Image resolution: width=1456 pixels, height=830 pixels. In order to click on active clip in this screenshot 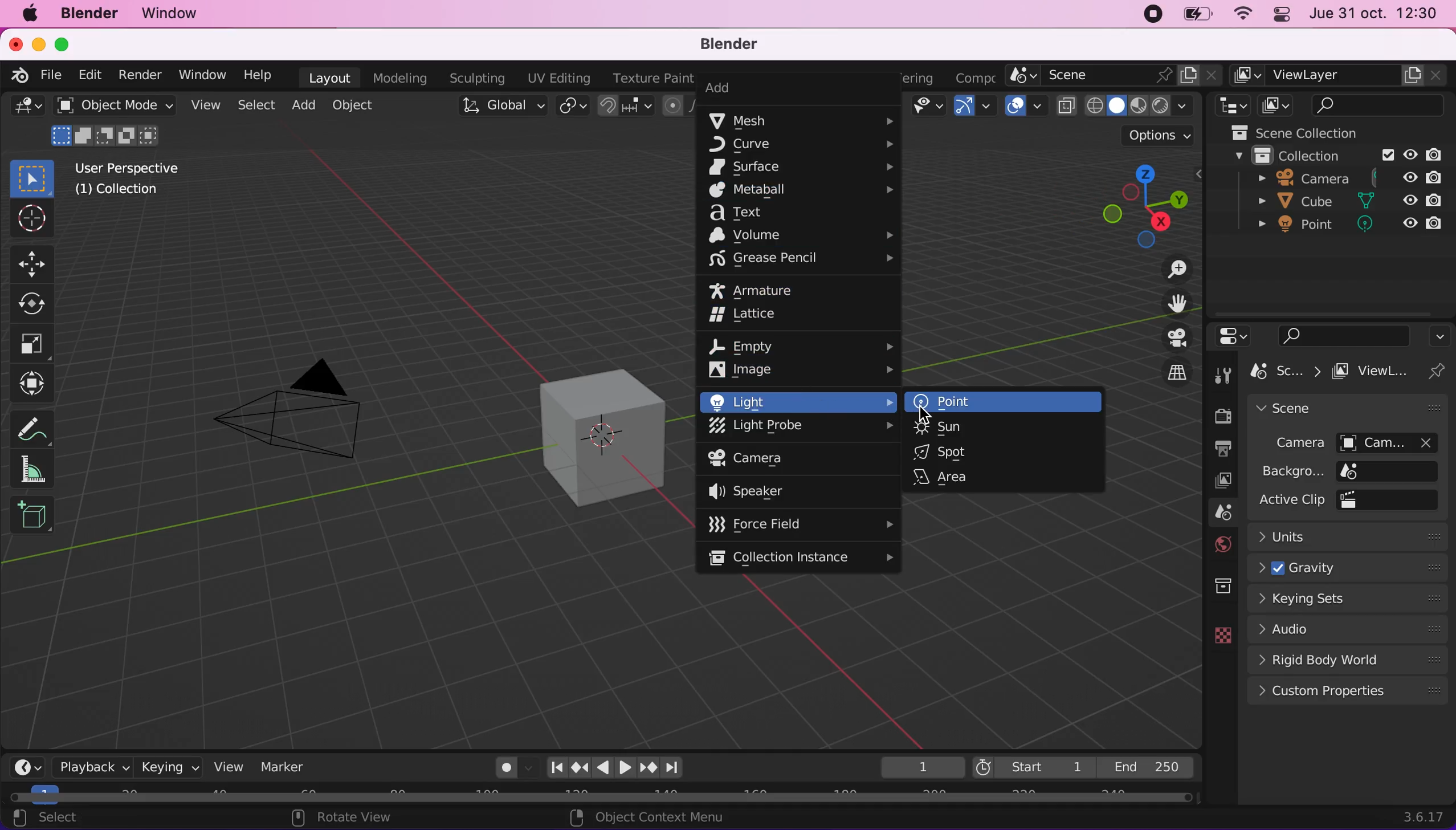, I will do `click(1393, 499)`.